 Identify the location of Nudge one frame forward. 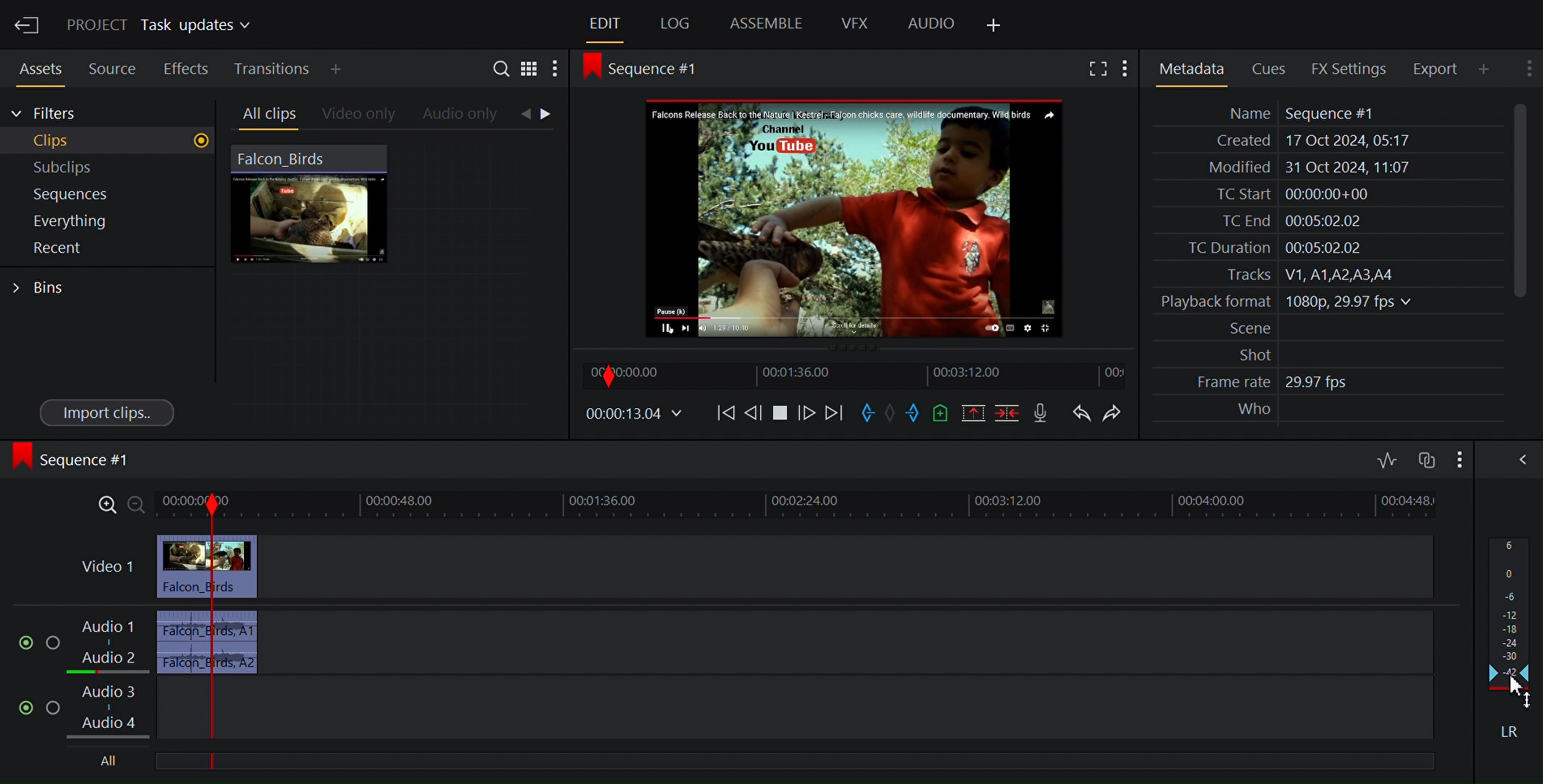
(806, 413).